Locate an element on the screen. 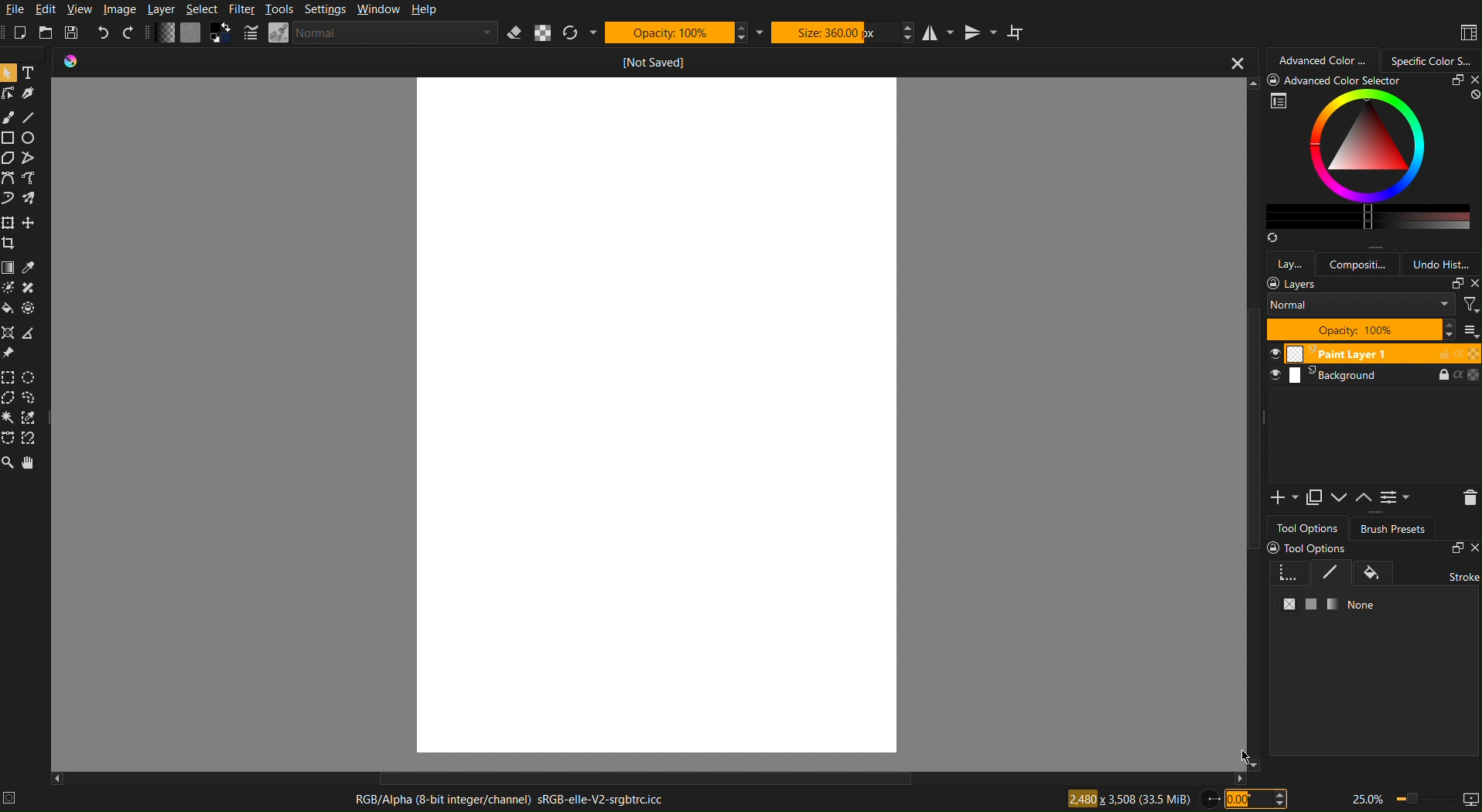 This screenshot has height=812, width=1482. Copy Layer is located at coordinates (1313, 498).